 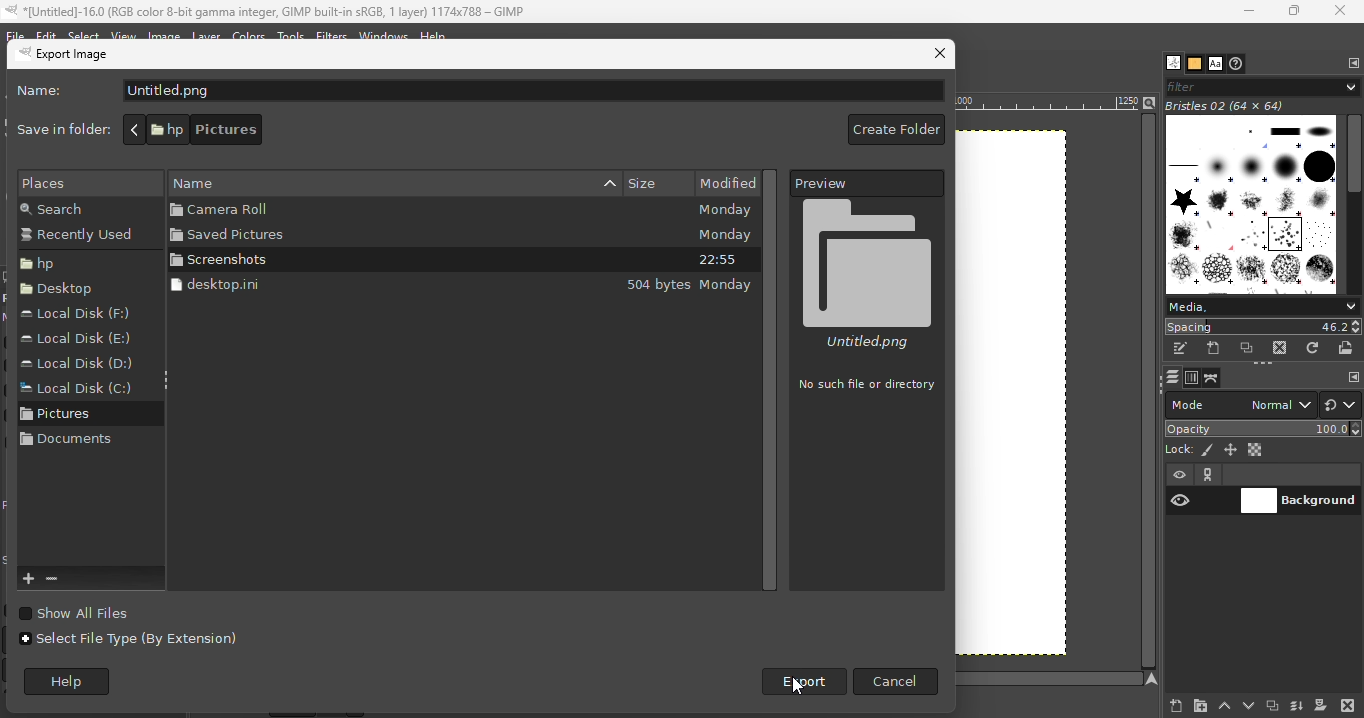 I want to click on Mode  Normal, so click(x=1240, y=403).